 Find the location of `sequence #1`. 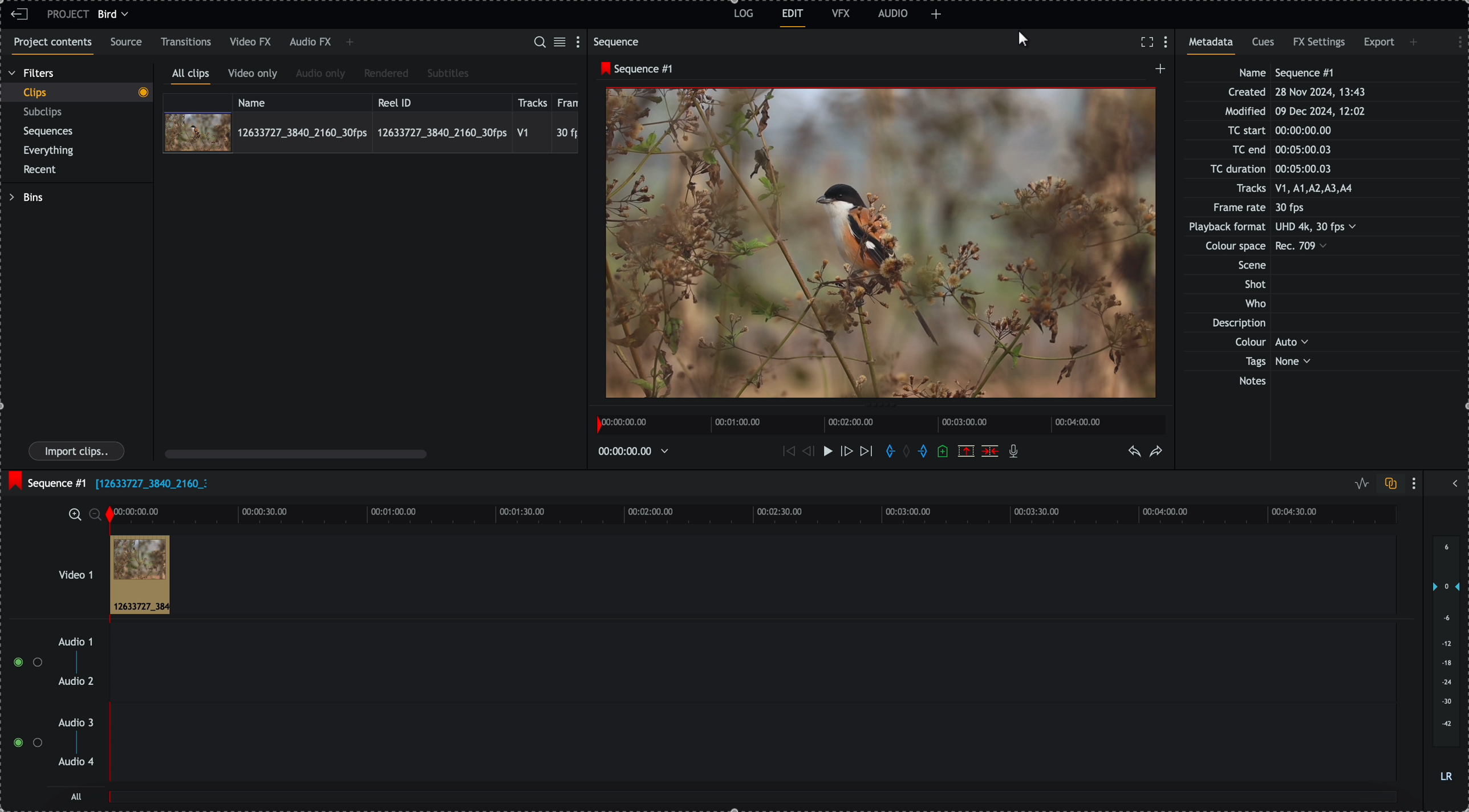

sequence #1 is located at coordinates (634, 69).